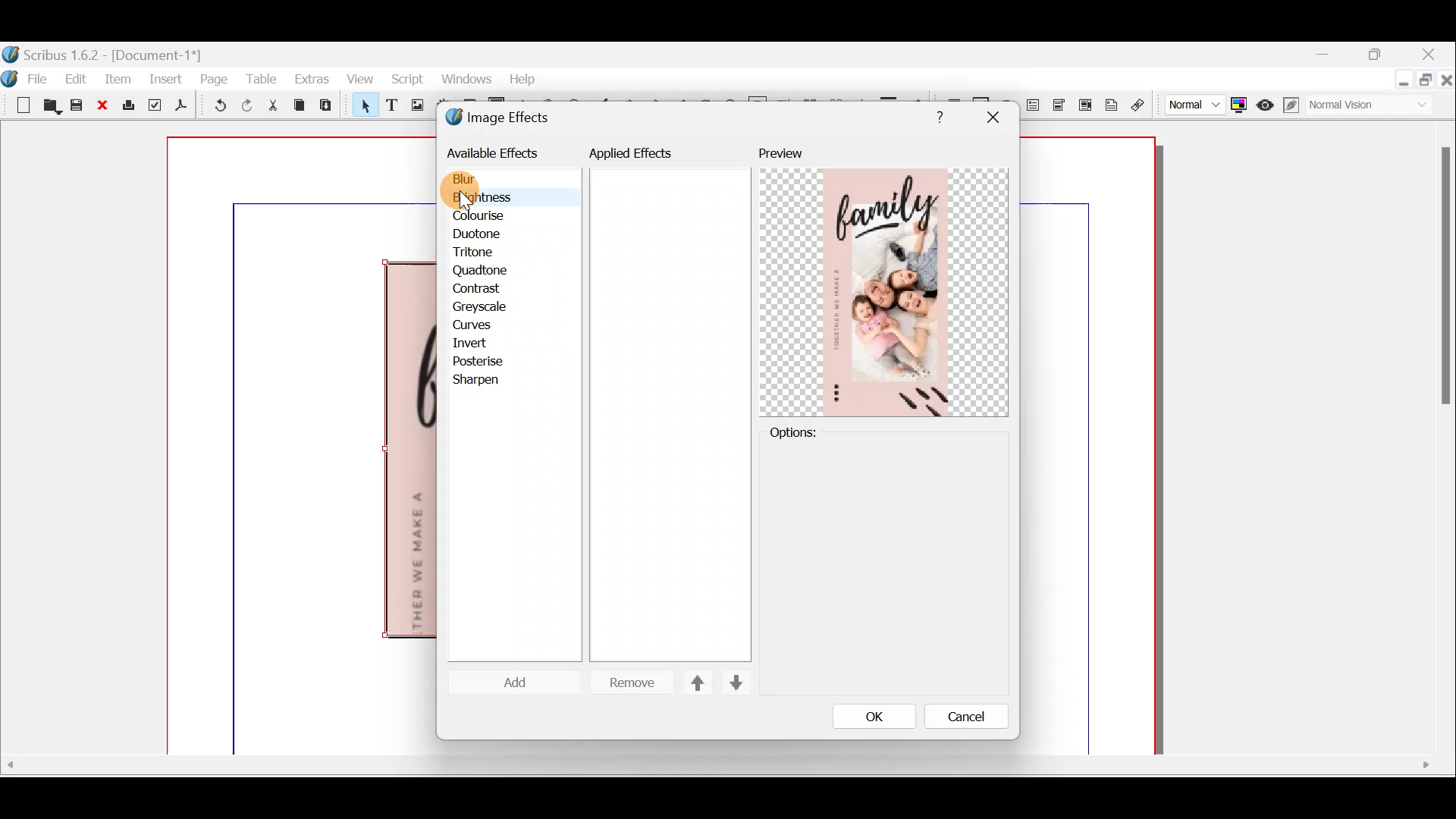 Image resolution: width=1456 pixels, height=819 pixels. Describe the element at coordinates (104, 53) in the screenshot. I see `Document name` at that location.